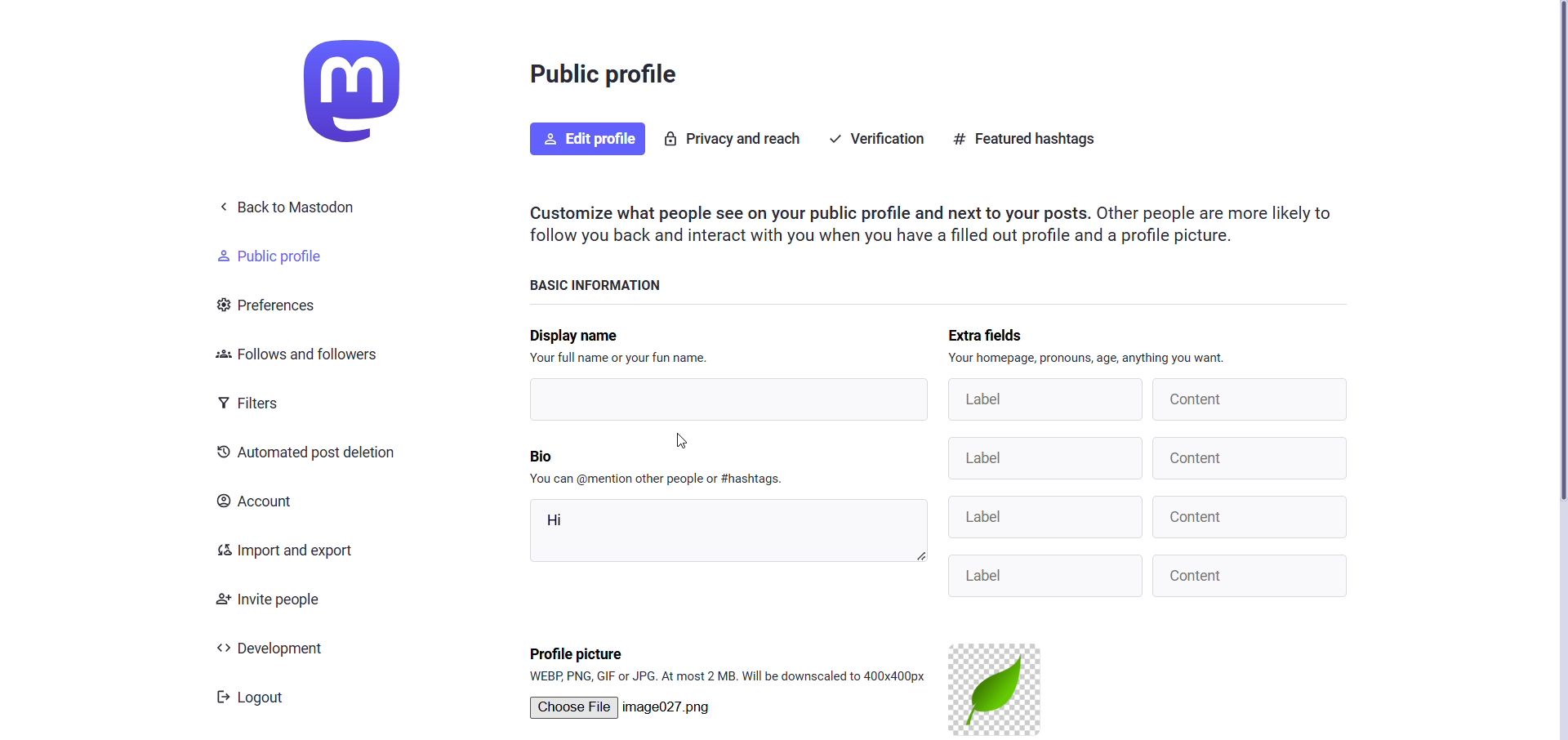 Image resolution: width=1568 pixels, height=740 pixels. What do you see at coordinates (729, 676) in the screenshot?
I see `format supported` at bounding box center [729, 676].